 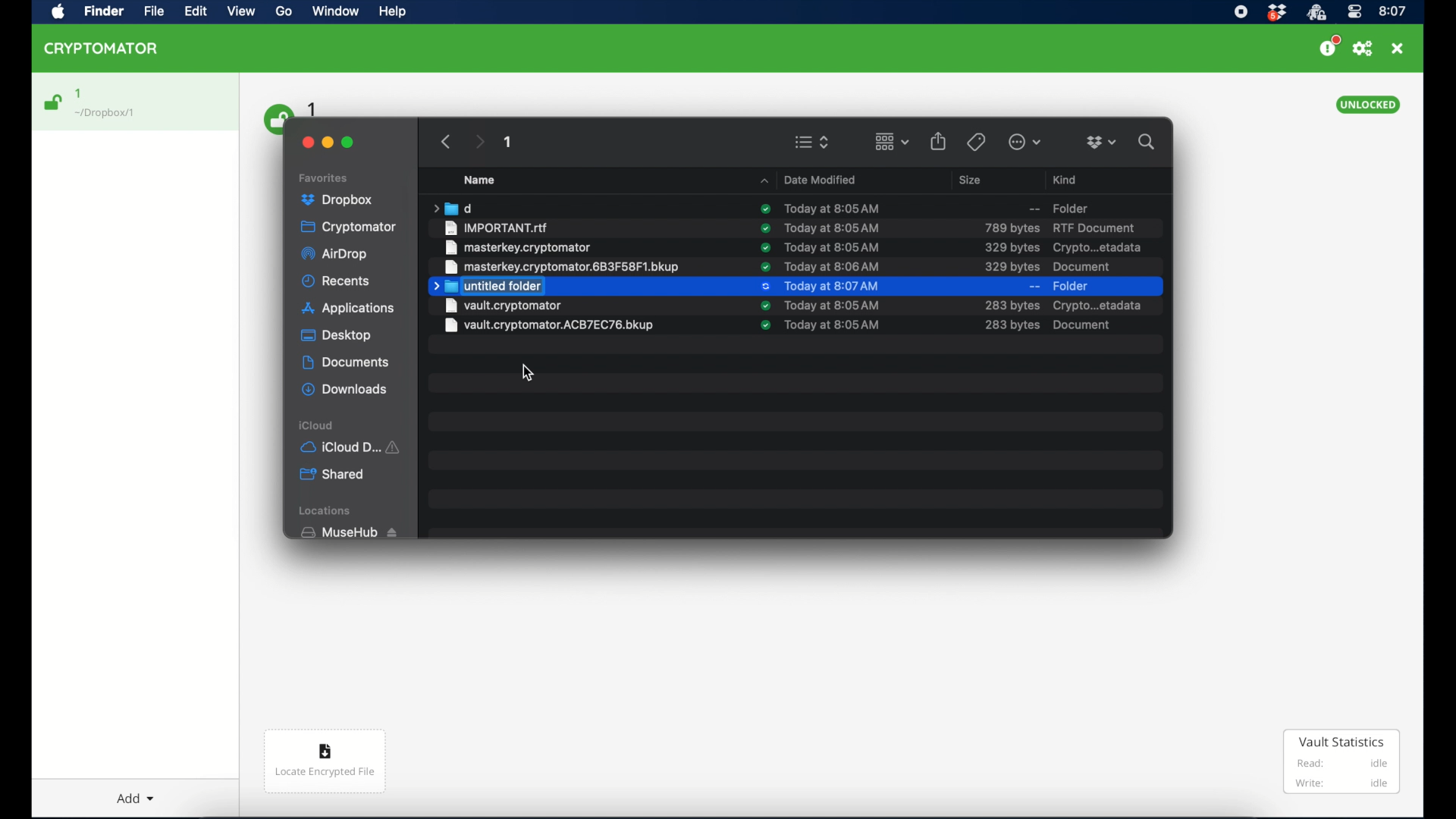 I want to click on size, so click(x=972, y=180).